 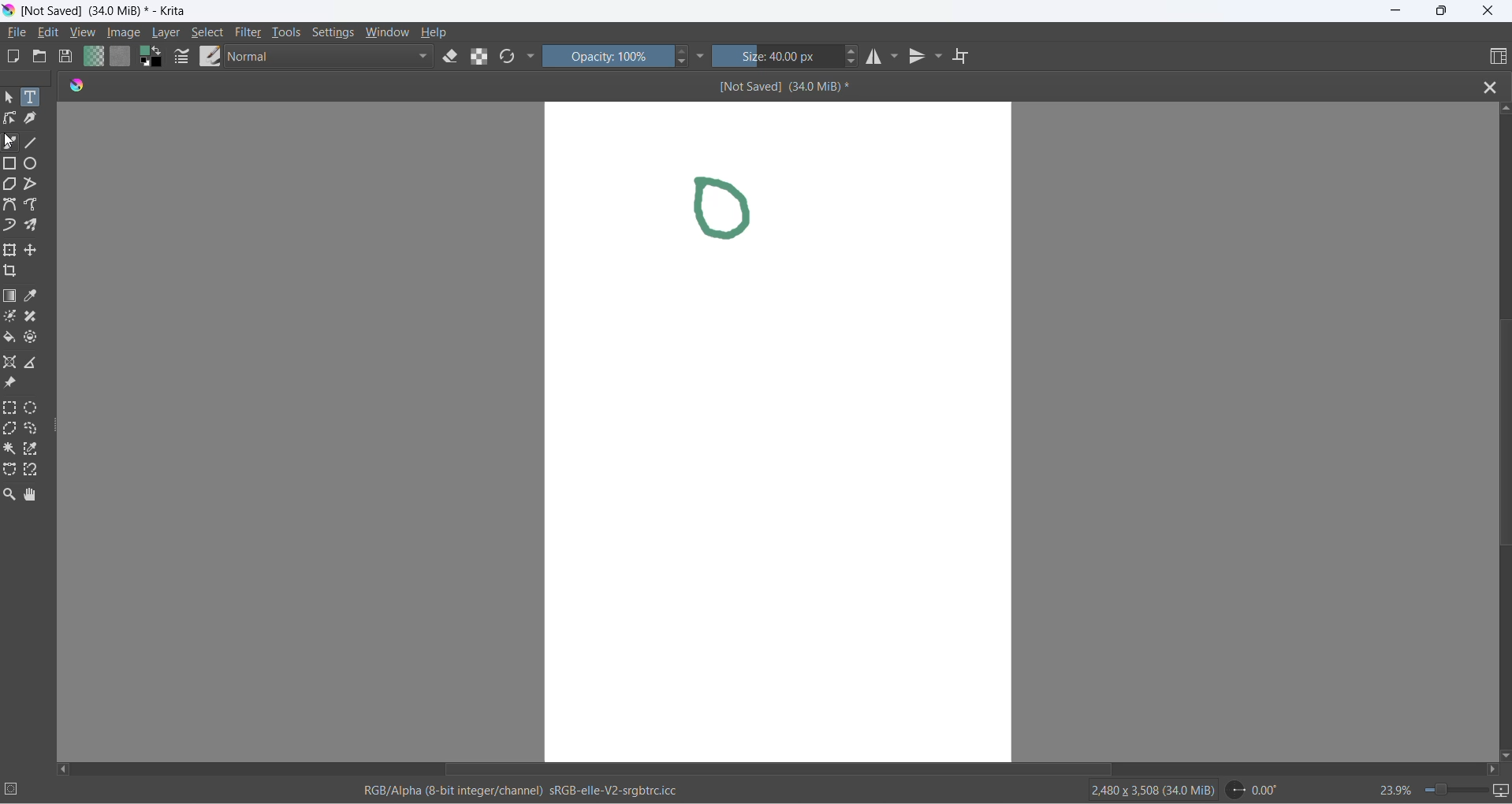 I want to click on app icon, so click(x=9, y=12).